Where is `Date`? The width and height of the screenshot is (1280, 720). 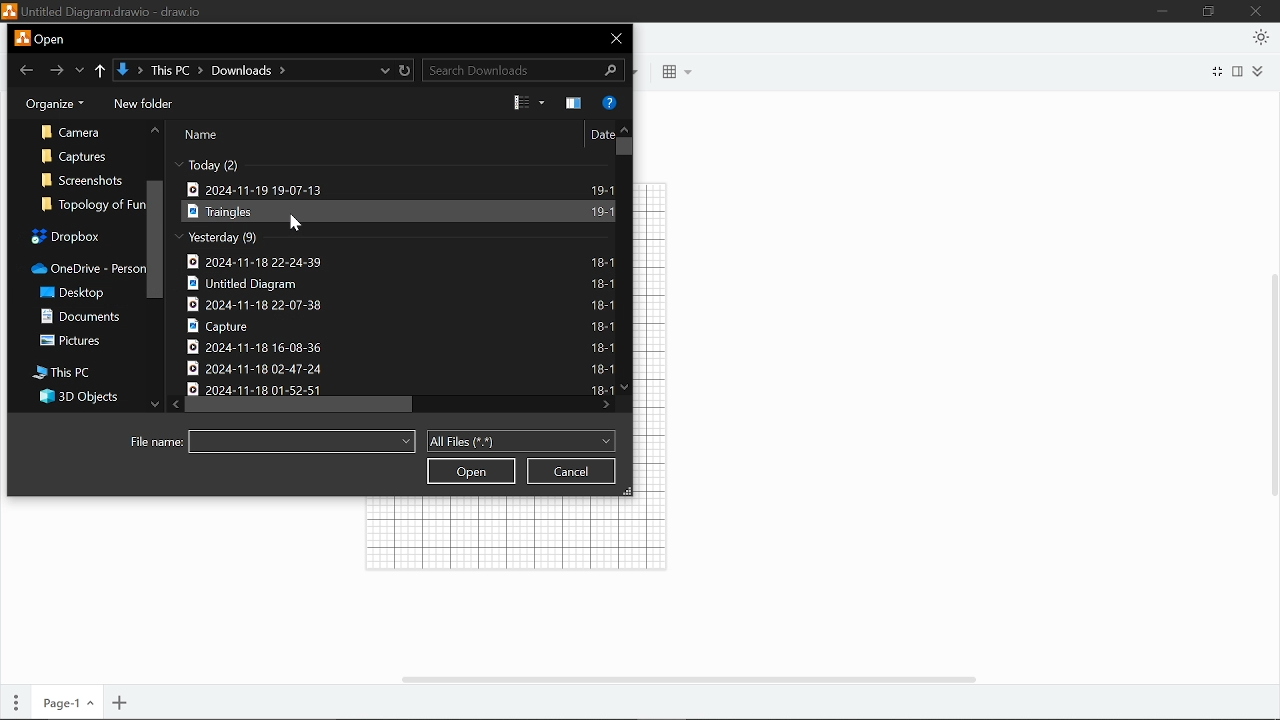
Date is located at coordinates (601, 135).